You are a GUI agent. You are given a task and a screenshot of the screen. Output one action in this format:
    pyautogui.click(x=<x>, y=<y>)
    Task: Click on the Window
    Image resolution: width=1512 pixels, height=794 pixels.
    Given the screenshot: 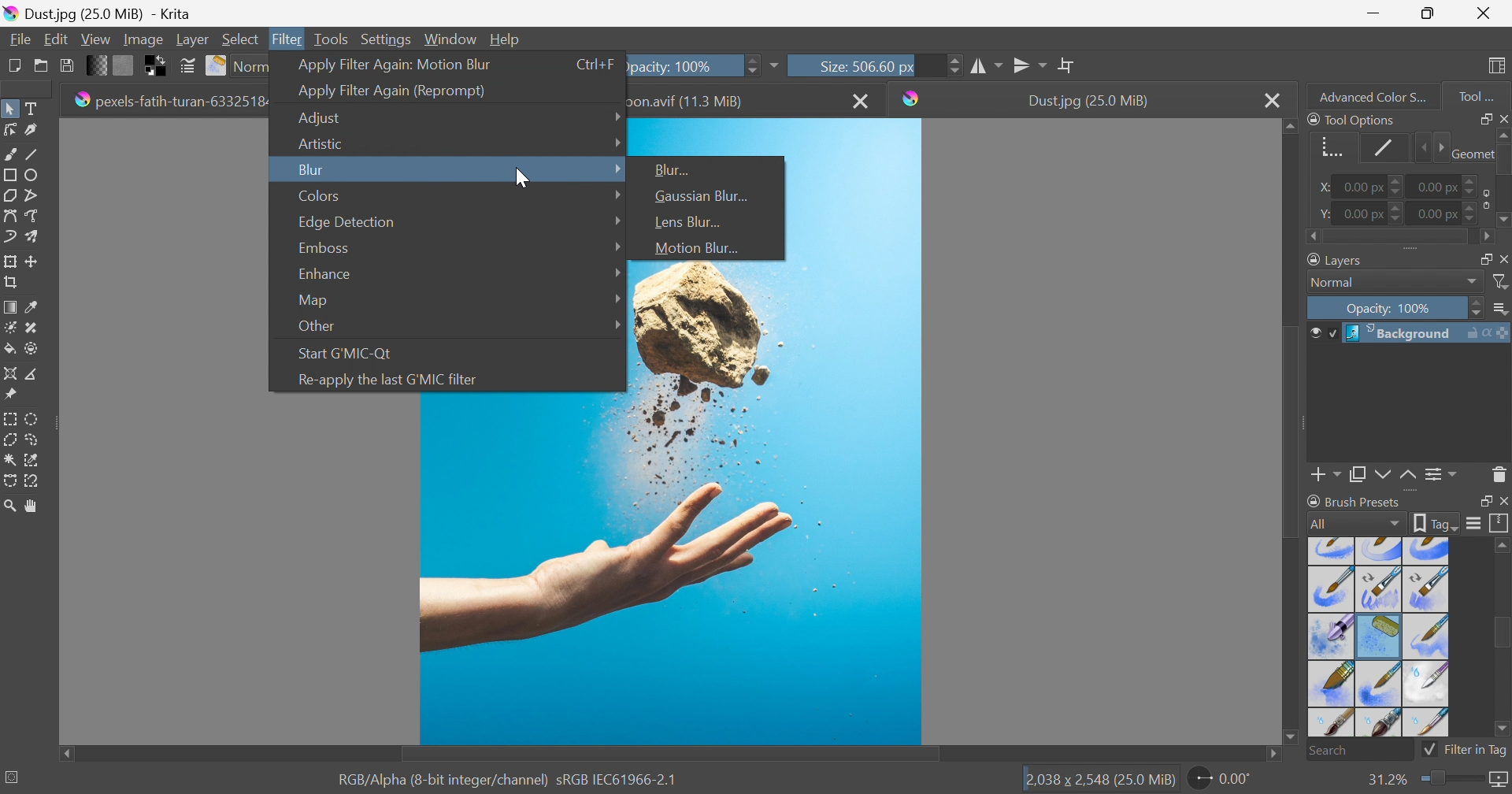 What is the action you would take?
    pyautogui.click(x=451, y=38)
    